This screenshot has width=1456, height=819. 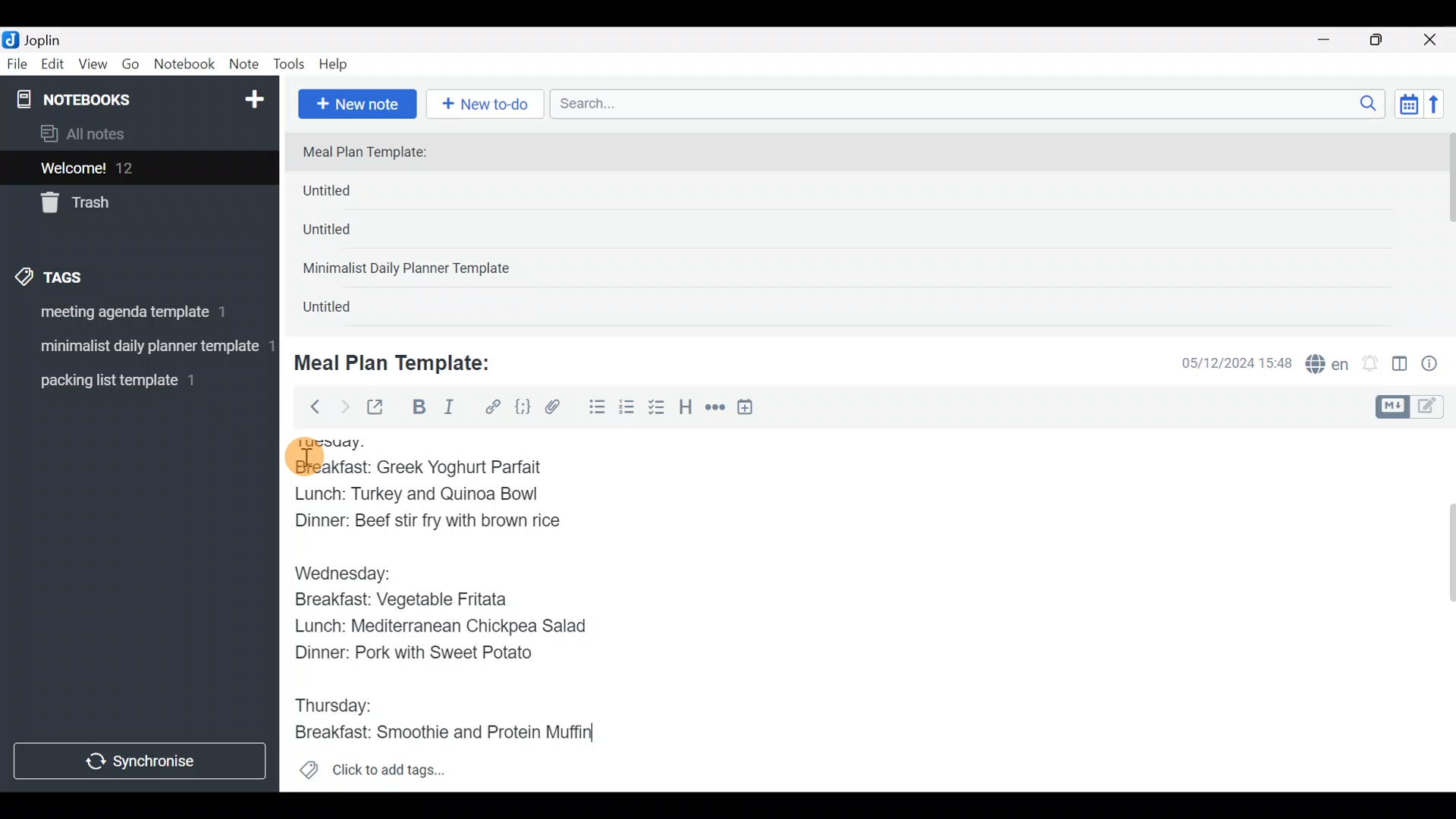 What do you see at coordinates (303, 457) in the screenshot?
I see `cursor` at bounding box center [303, 457].